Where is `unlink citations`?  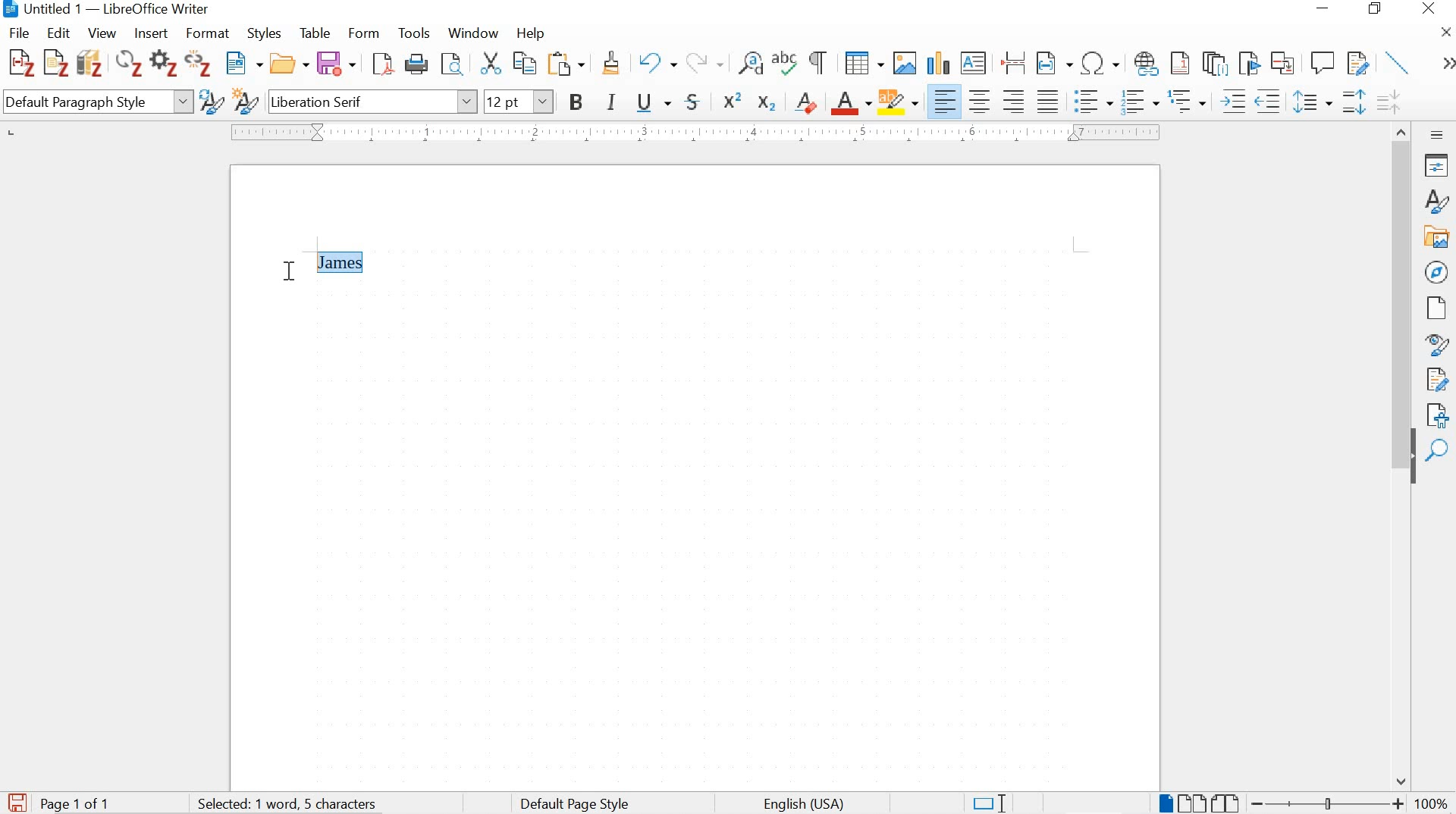 unlink citations is located at coordinates (199, 66).